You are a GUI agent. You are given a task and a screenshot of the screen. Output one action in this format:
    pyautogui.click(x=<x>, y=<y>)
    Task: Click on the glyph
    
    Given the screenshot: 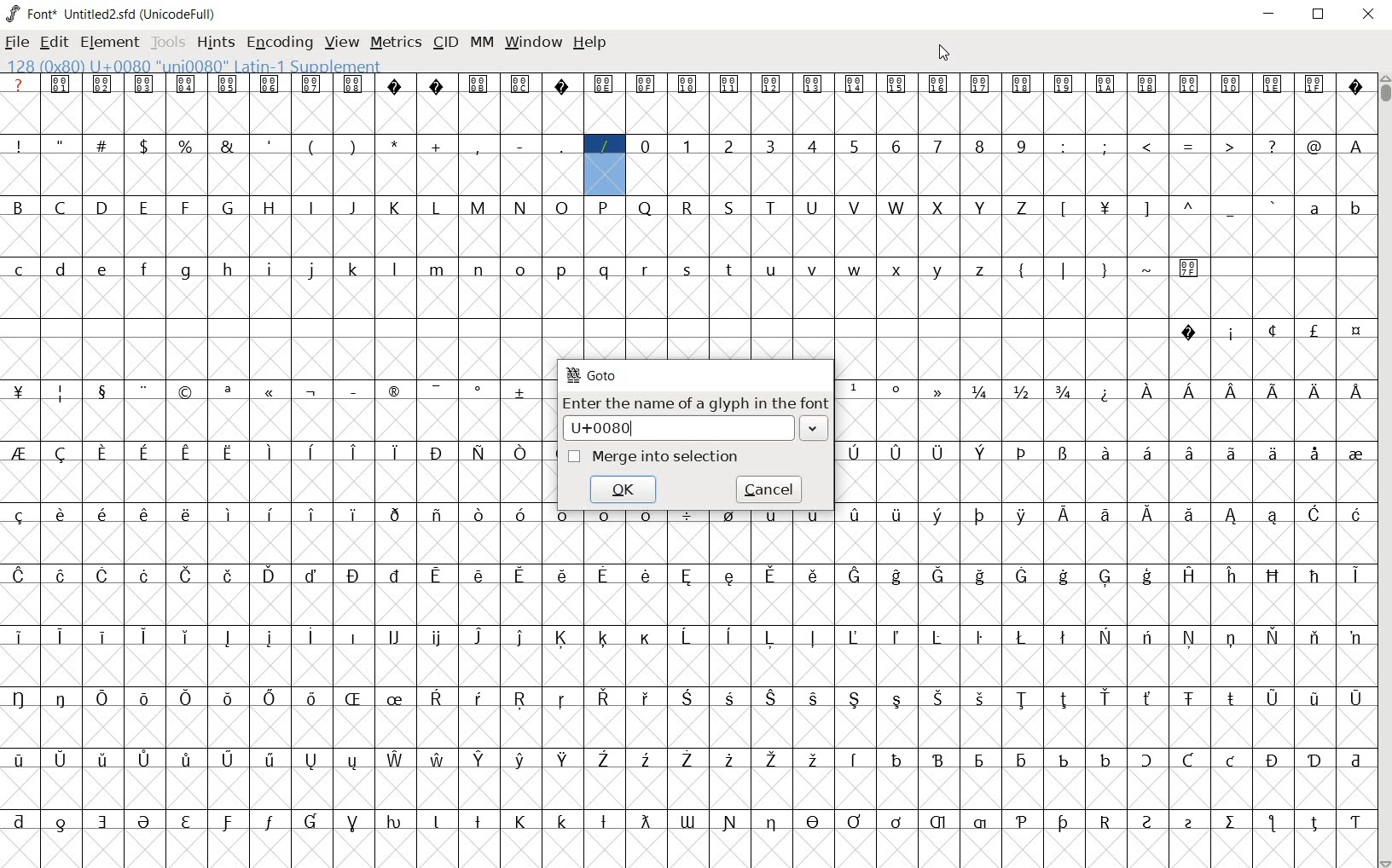 What is the action you would take?
    pyautogui.click(x=270, y=822)
    